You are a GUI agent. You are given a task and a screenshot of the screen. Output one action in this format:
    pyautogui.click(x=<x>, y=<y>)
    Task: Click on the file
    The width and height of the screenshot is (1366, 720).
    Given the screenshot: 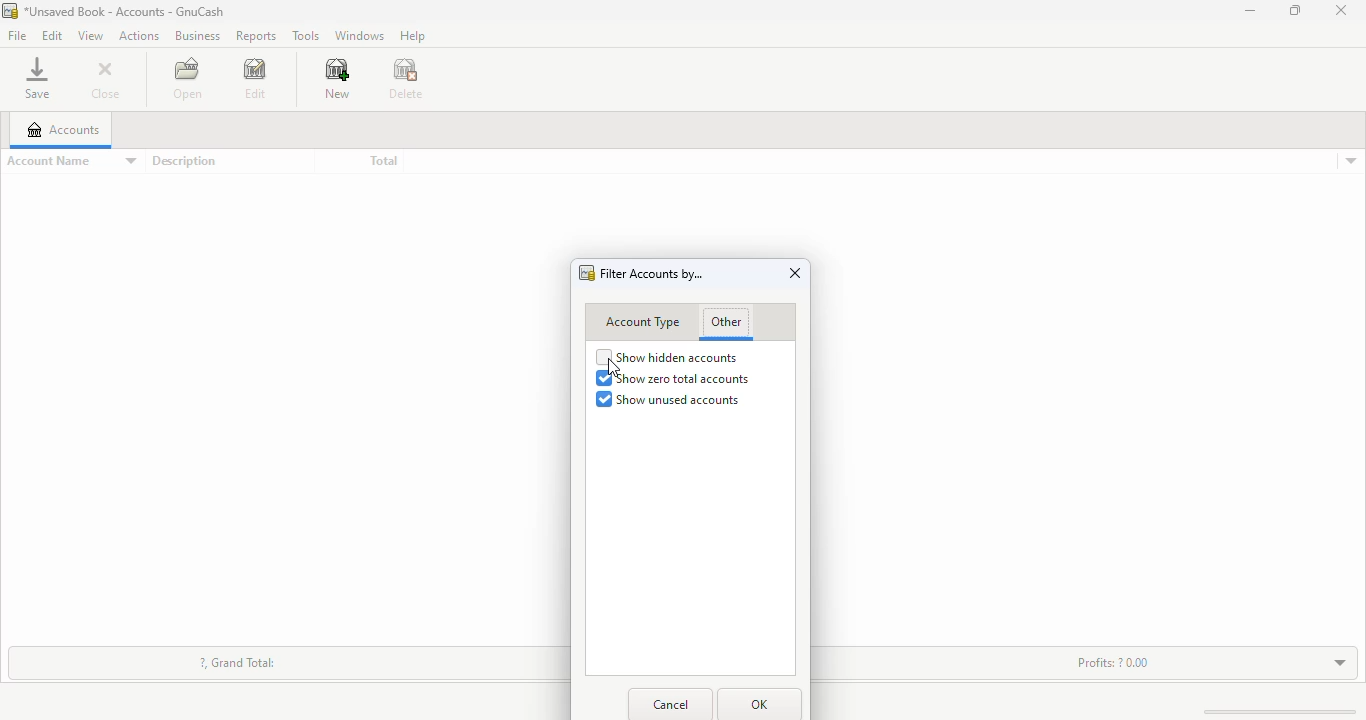 What is the action you would take?
    pyautogui.click(x=16, y=37)
    